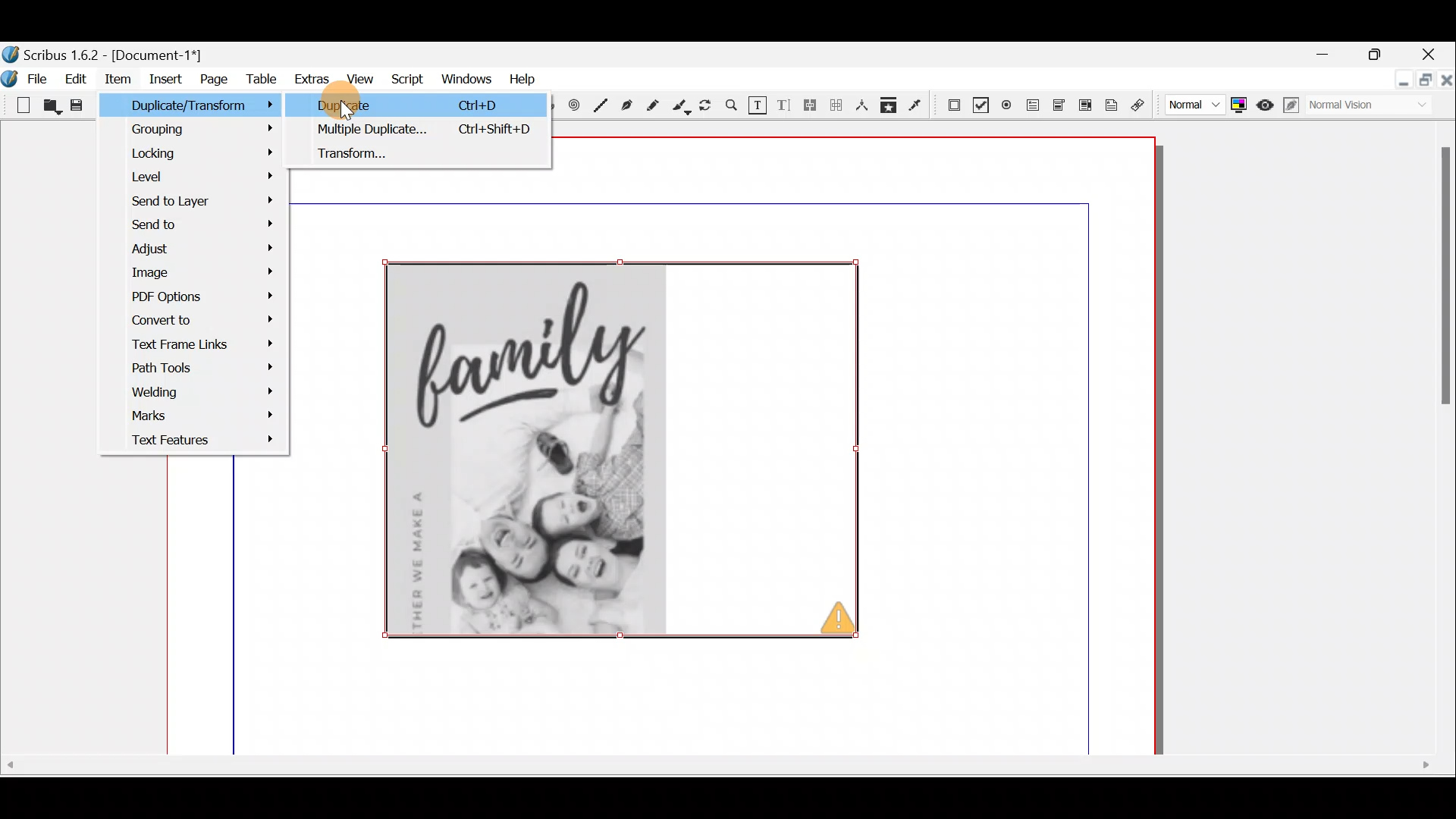  Describe the element at coordinates (785, 107) in the screenshot. I see `Edit text with story editor` at that location.